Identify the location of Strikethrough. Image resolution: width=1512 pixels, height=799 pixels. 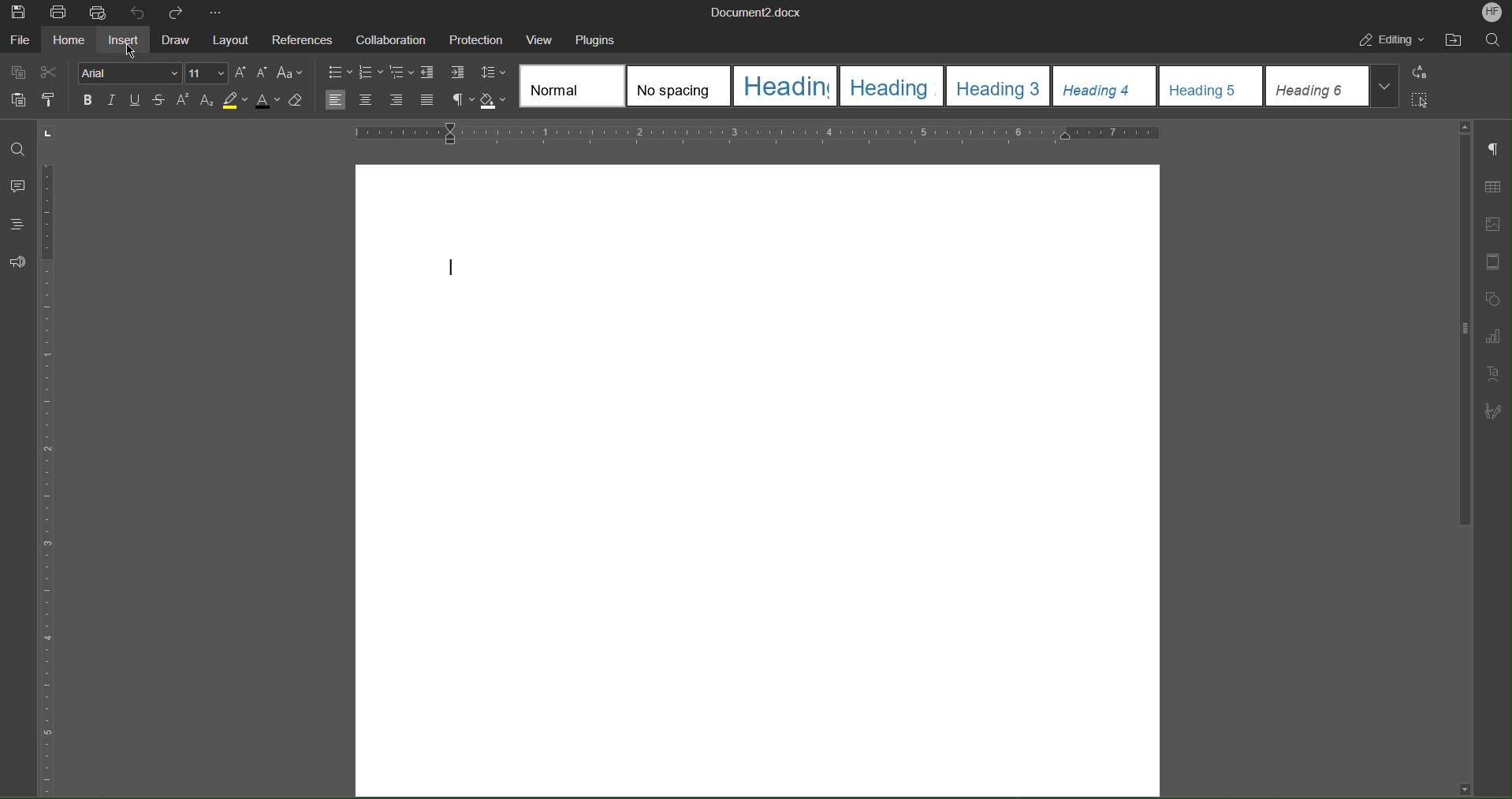
(160, 101).